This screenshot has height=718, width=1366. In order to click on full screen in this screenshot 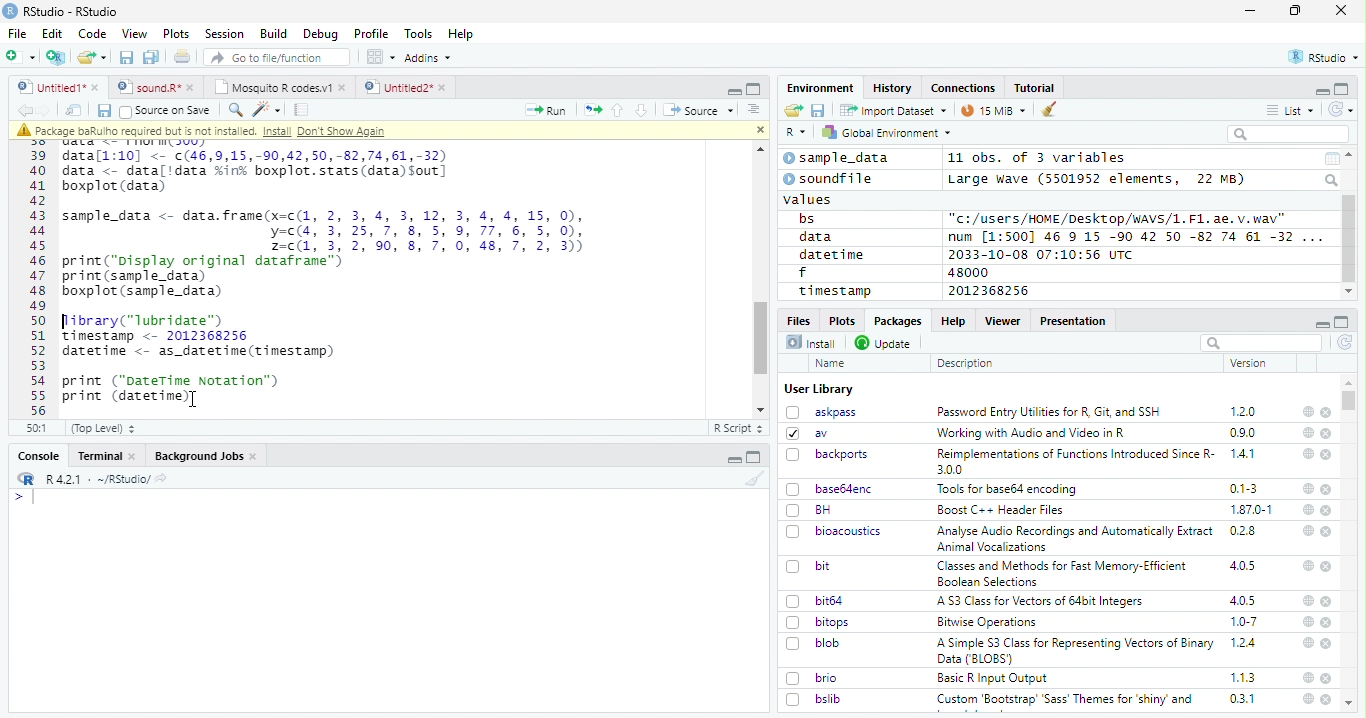, I will do `click(1342, 322)`.